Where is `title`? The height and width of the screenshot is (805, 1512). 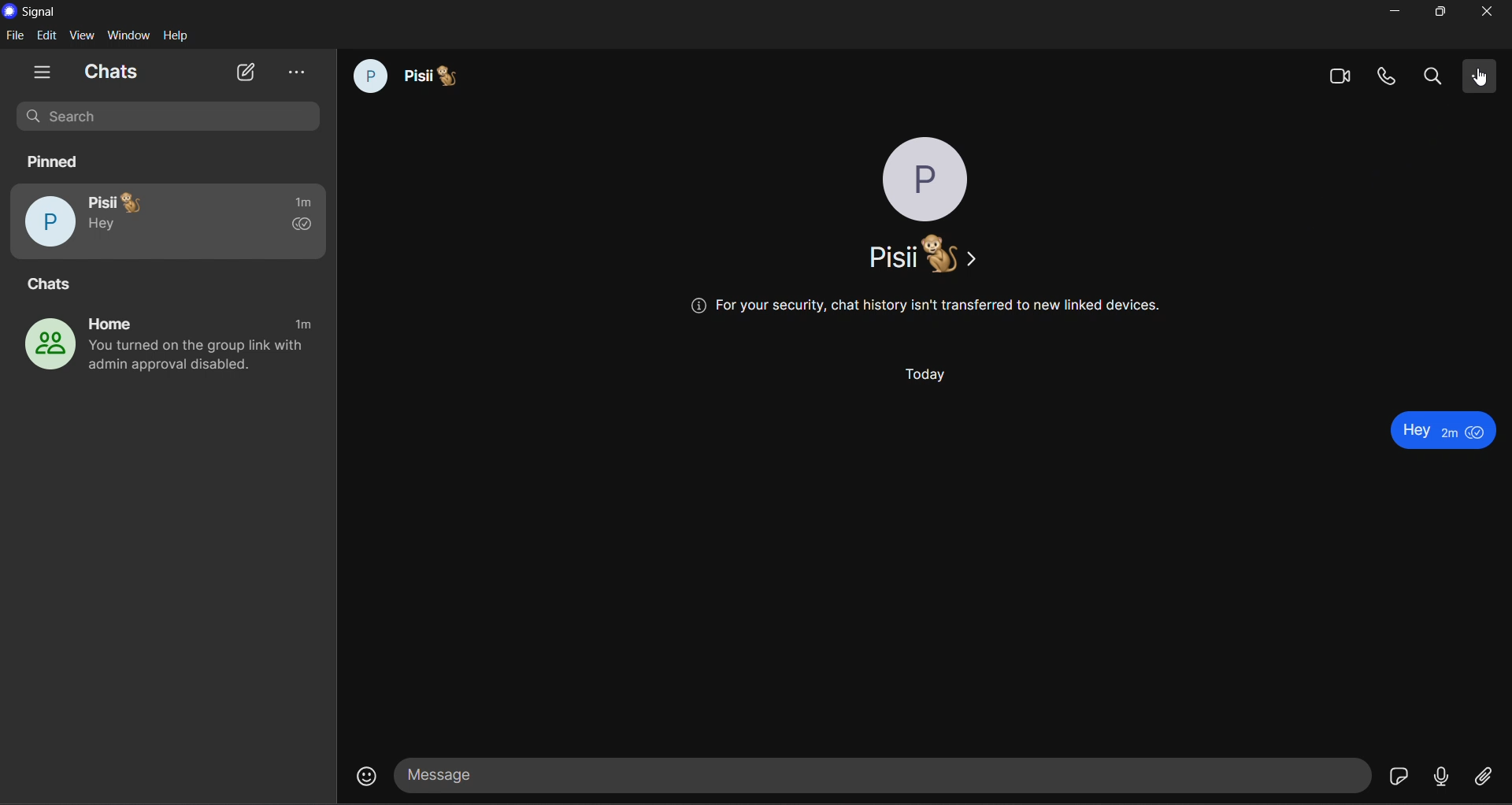 title is located at coordinates (43, 13).